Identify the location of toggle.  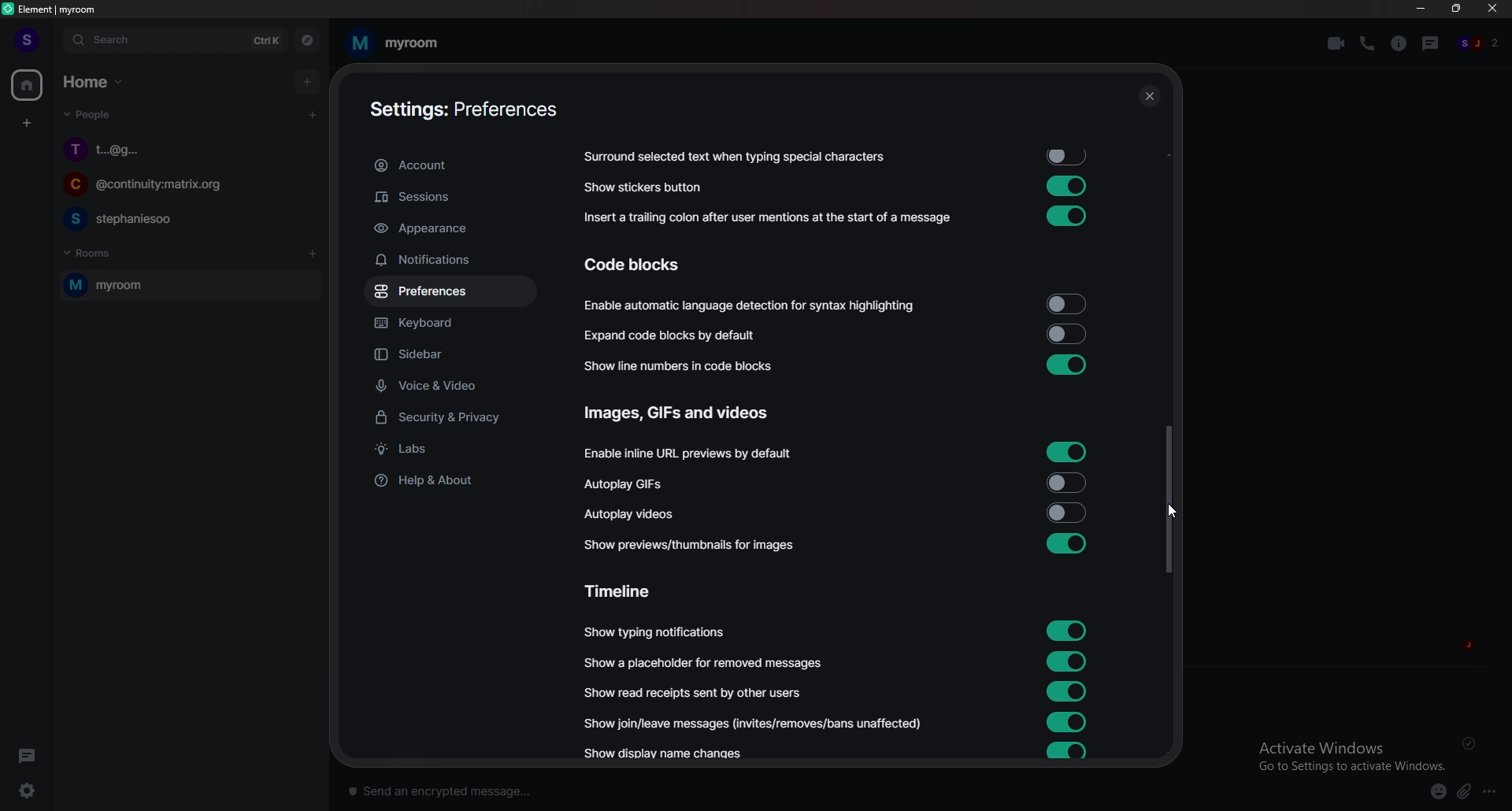
(1064, 334).